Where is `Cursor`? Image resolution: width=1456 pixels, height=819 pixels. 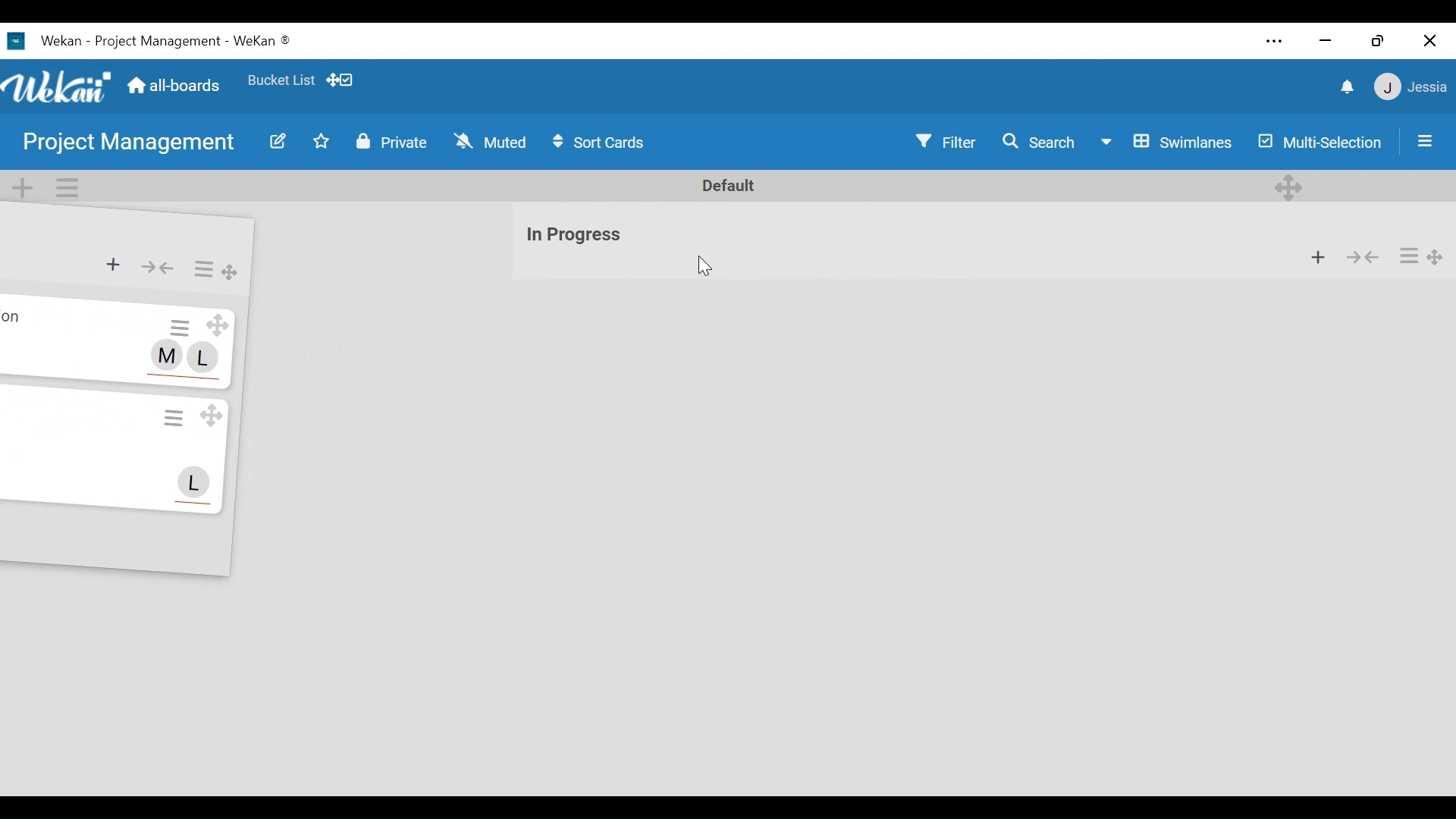 Cursor is located at coordinates (708, 265).